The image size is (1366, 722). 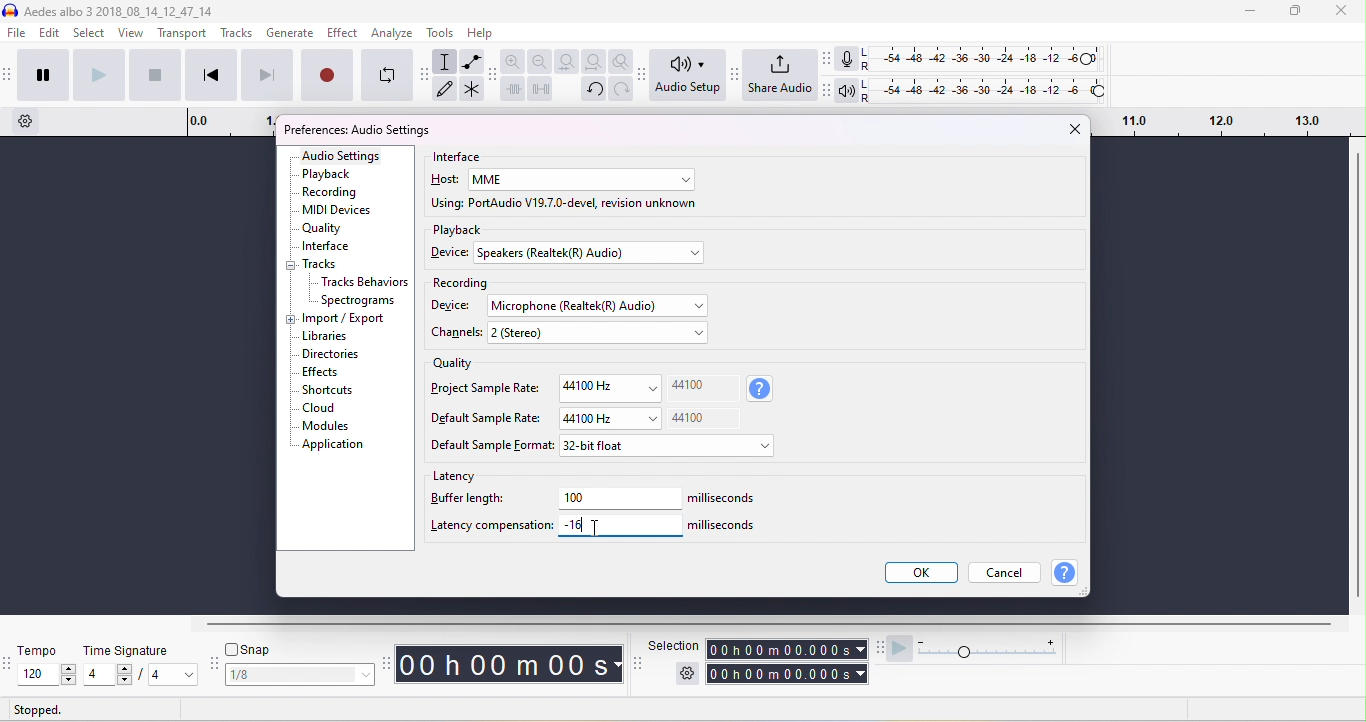 What do you see at coordinates (303, 675) in the screenshot?
I see `select snapping` at bounding box center [303, 675].